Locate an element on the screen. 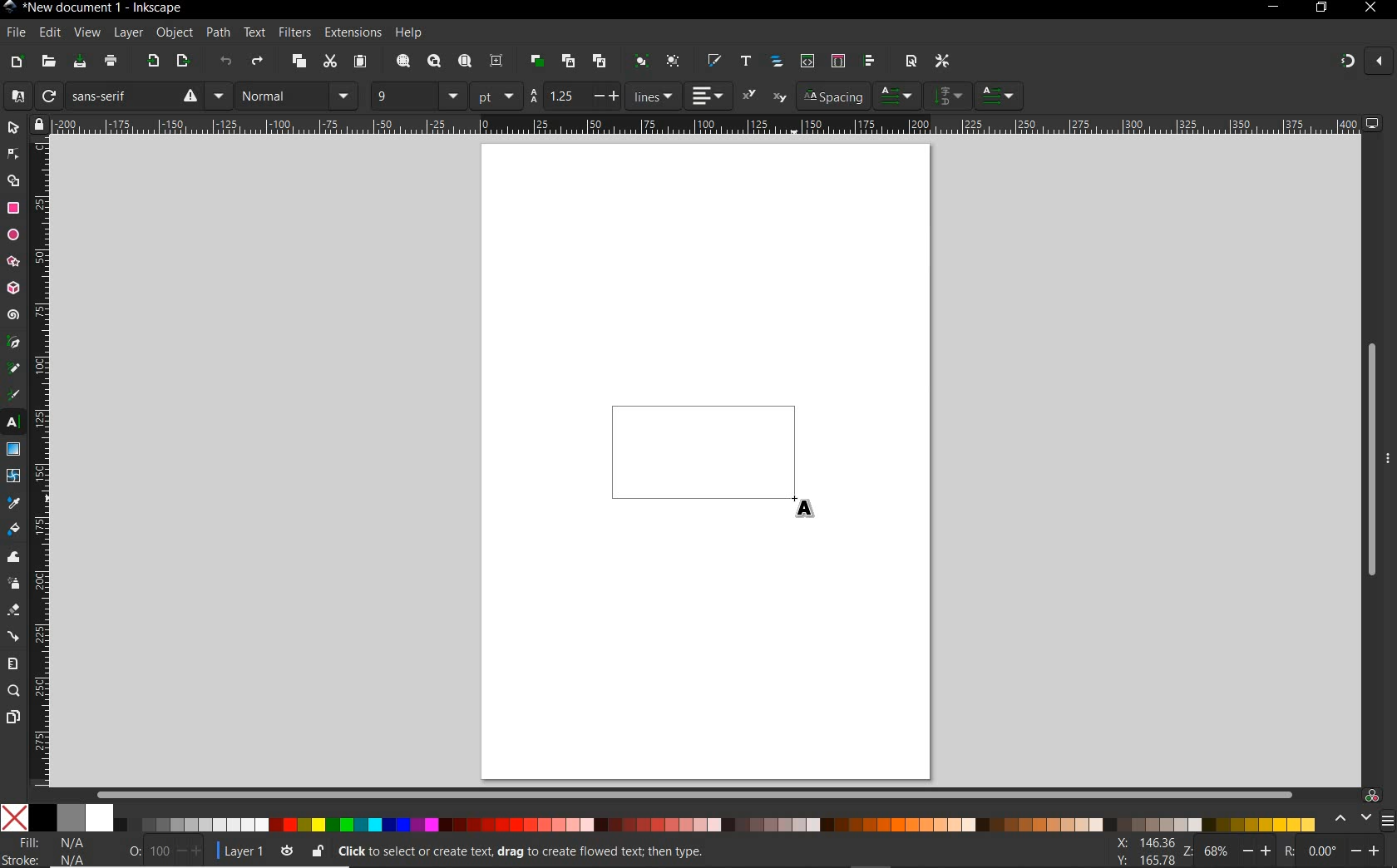 This screenshot has height=868, width=1397. ruler is located at coordinates (705, 124).